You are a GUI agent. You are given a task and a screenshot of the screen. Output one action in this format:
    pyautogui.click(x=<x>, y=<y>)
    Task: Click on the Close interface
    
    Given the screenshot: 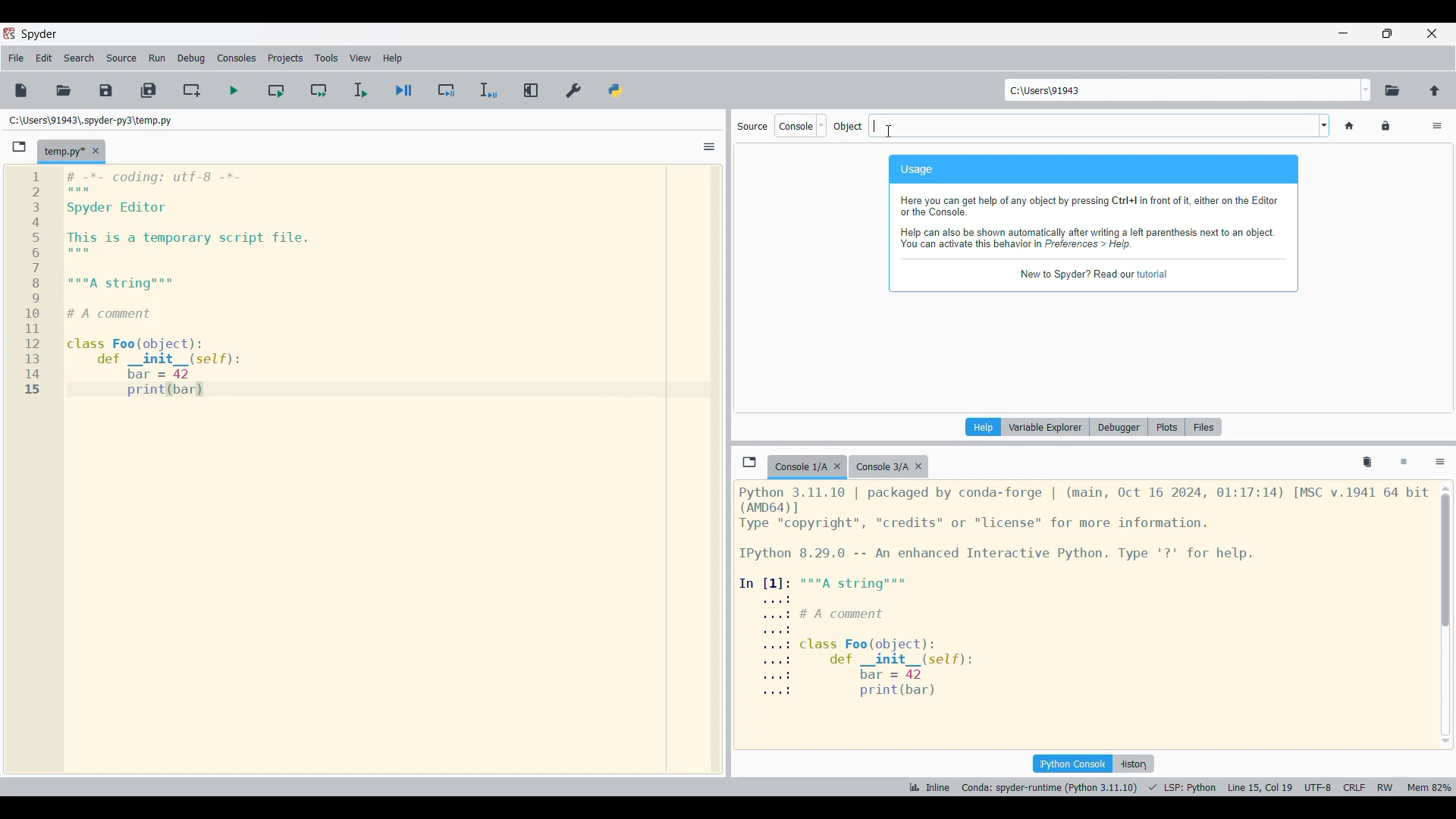 What is the action you would take?
    pyautogui.click(x=1432, y=33)
    